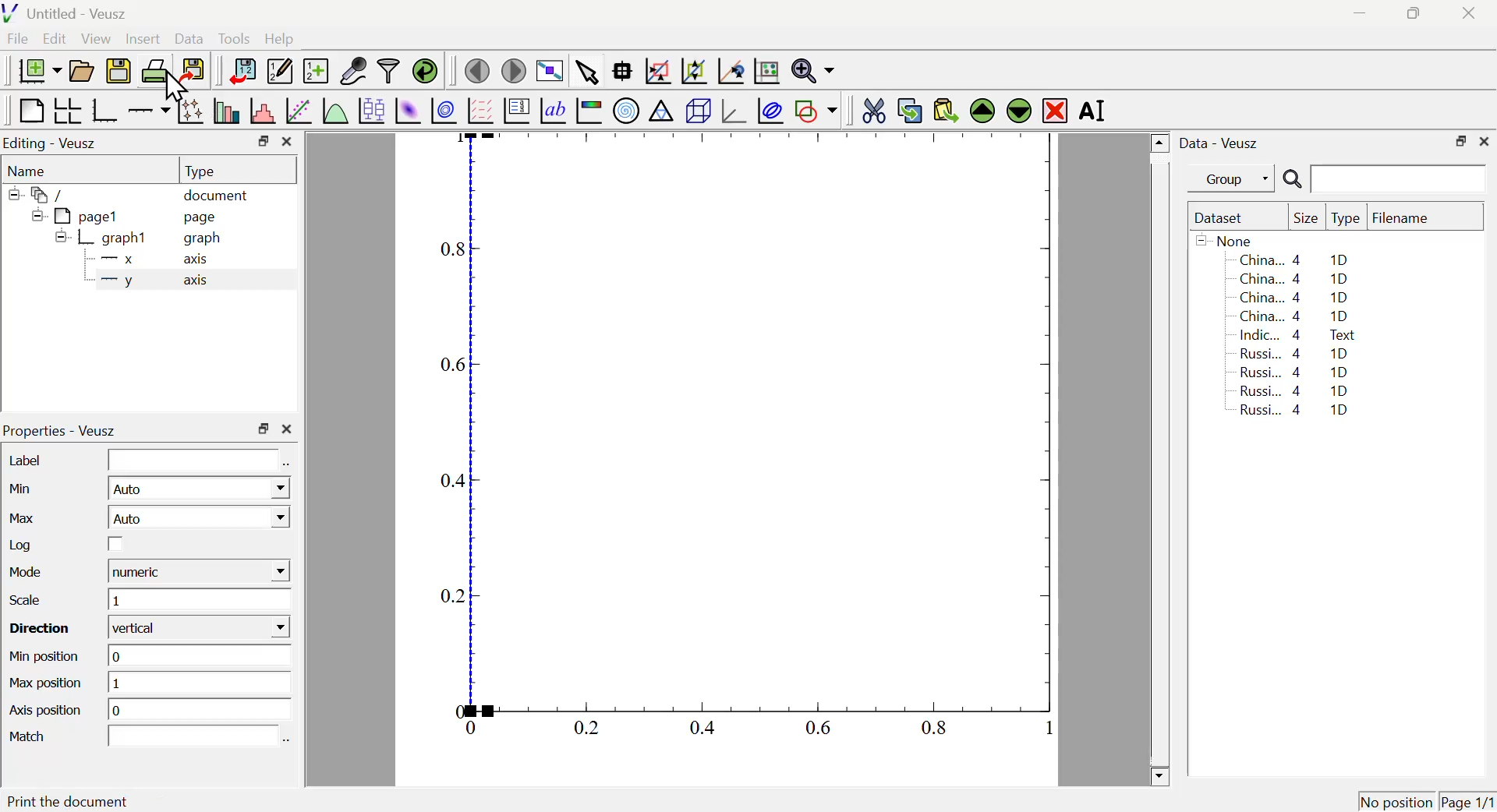  Describe the element at coordinates (1396, 800) in the screenshot. I see `No position` at that location.